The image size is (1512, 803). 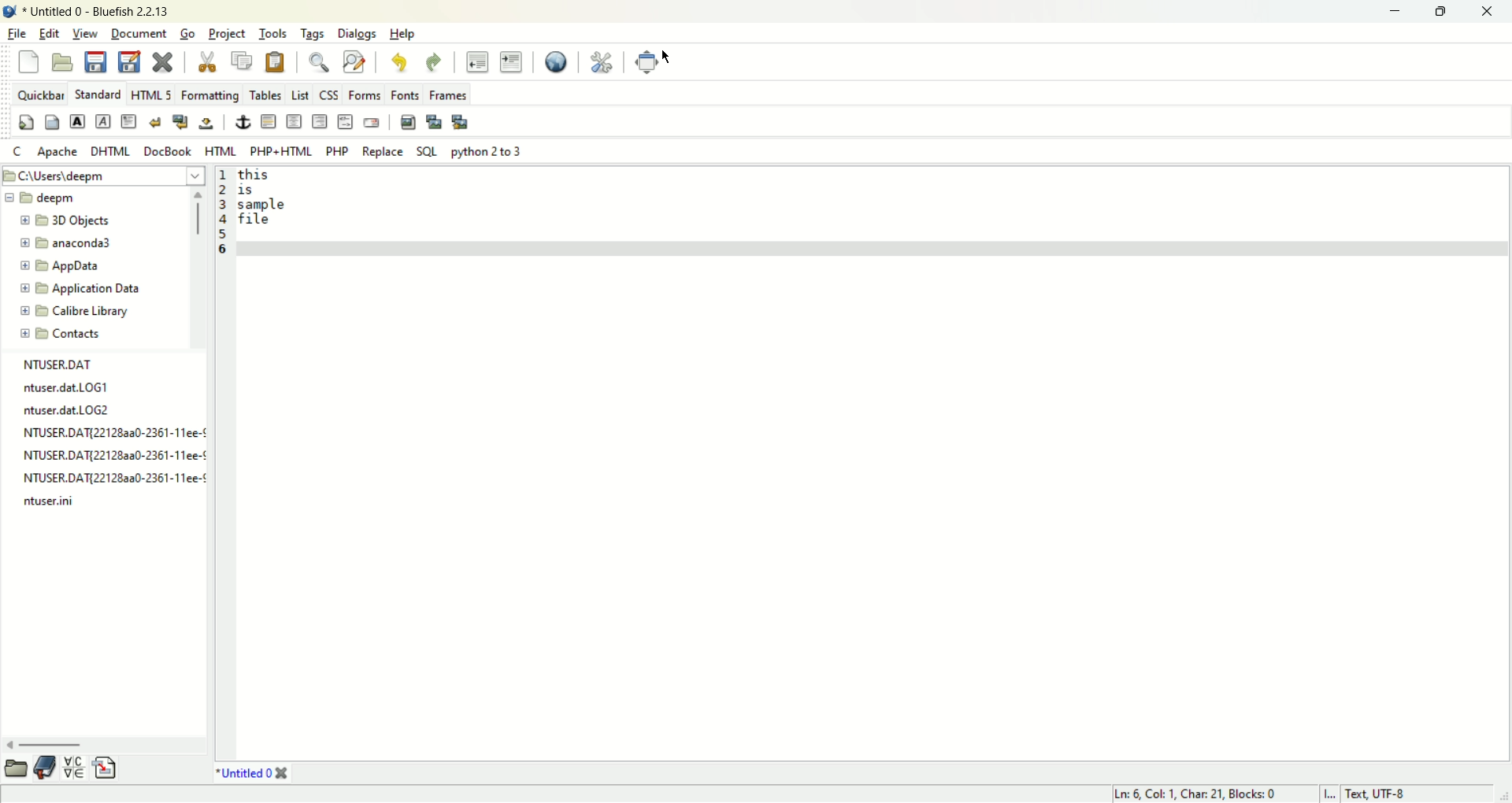 What do you see at coordinates (474, 62) in the screenshot?
I see `unindent` at bounding box center [474, 62].